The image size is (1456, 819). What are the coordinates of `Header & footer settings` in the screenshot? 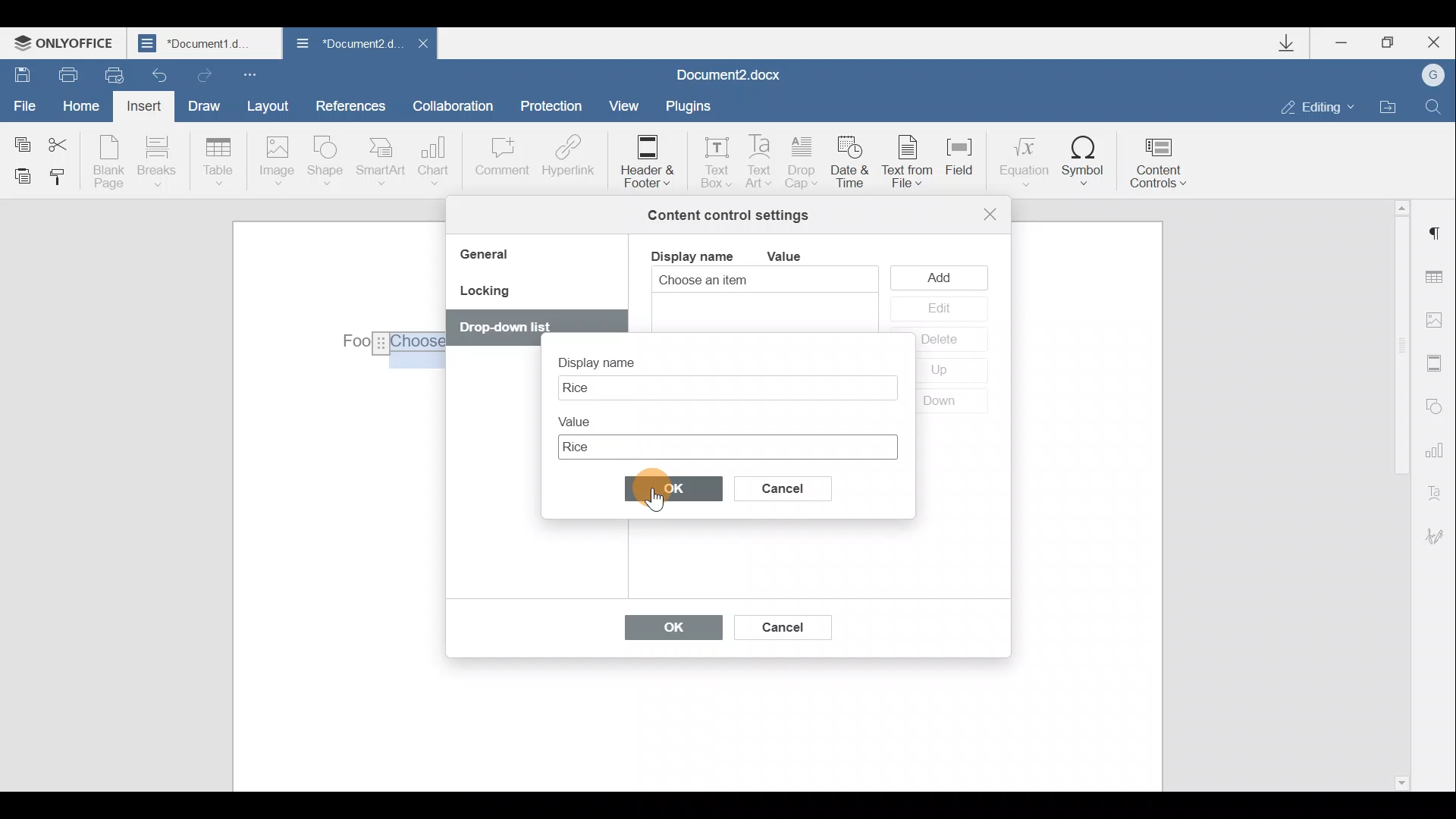 It's located at (1438, 362).